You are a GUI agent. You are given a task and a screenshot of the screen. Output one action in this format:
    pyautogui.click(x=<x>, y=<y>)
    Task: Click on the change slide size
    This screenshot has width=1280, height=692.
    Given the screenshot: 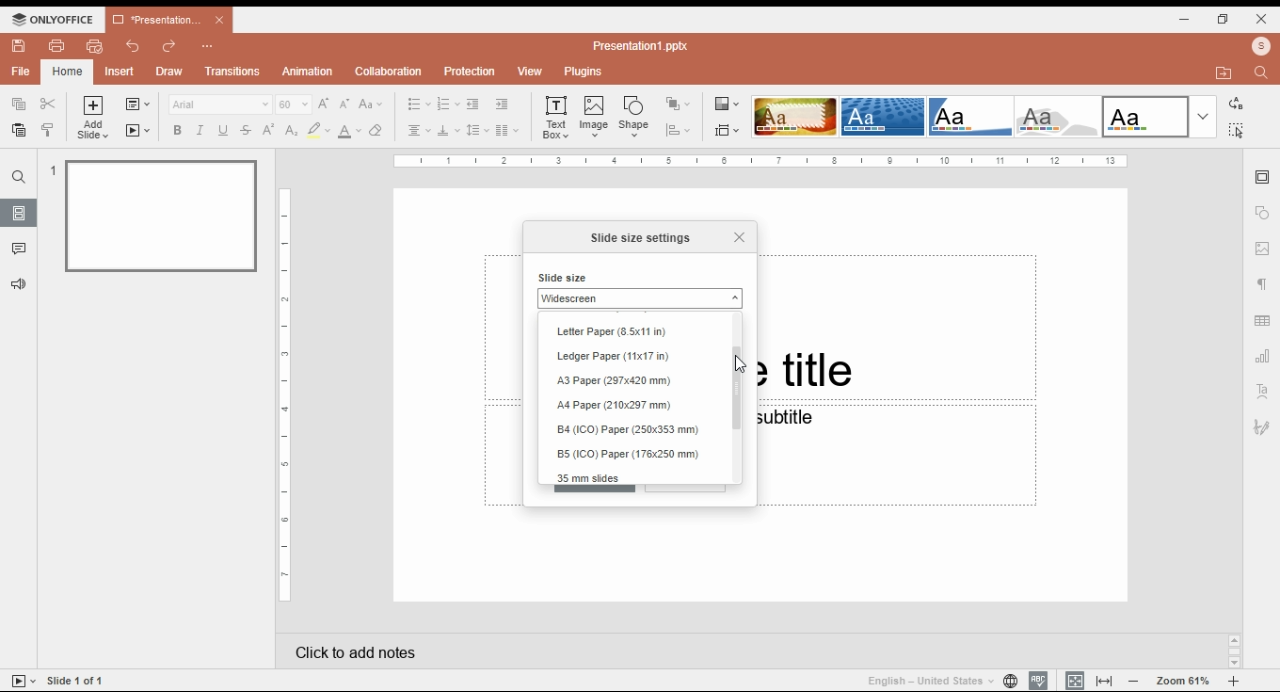 What is the action you would take?
    pyautogui.click(x=727, y=130)
    